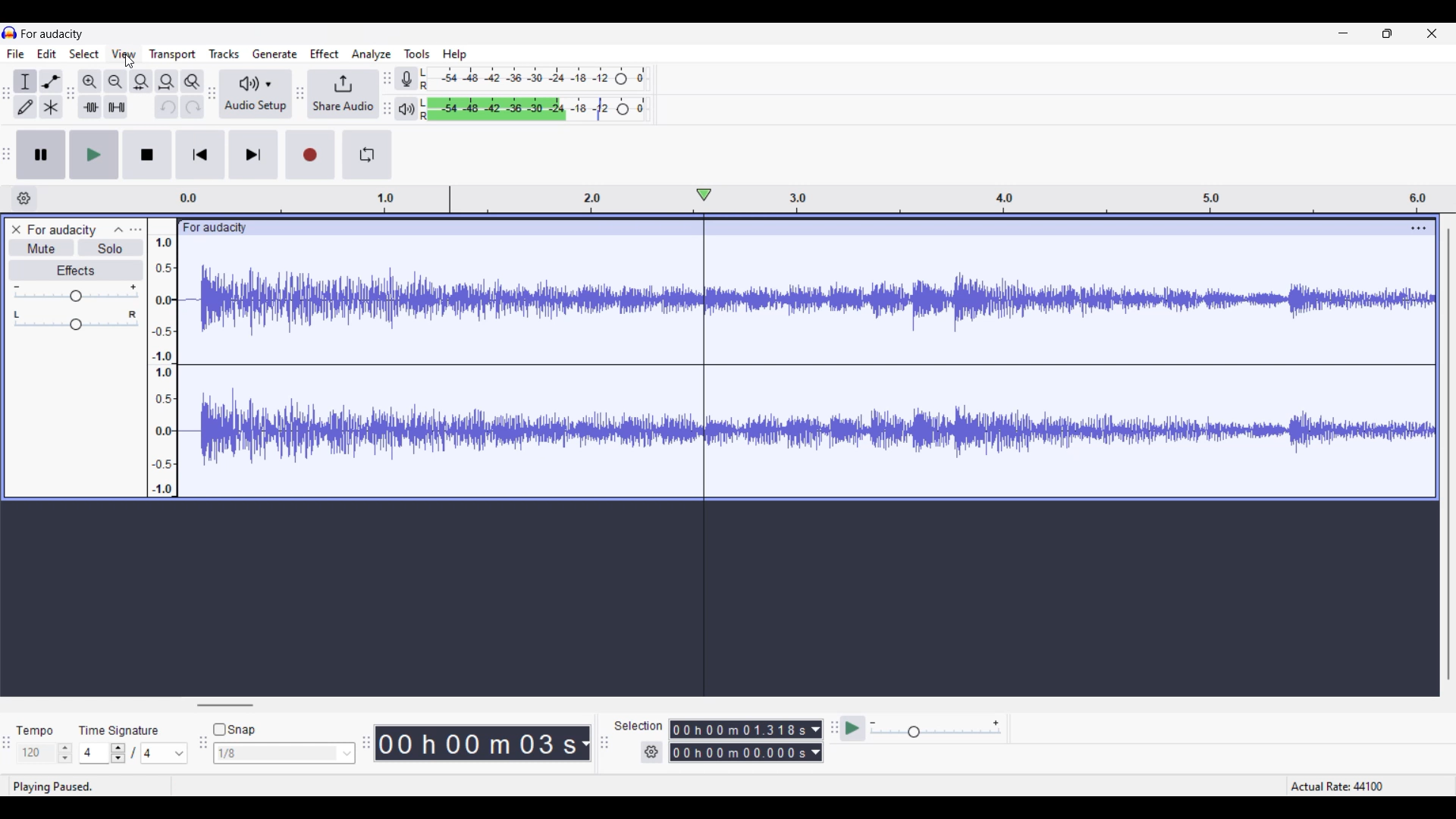 The image size is (1456, 819). What do you see at coordinates (1448, 454) in the screenshot?
I see `Vertical slide bar` at bounding box center [1448, 454].